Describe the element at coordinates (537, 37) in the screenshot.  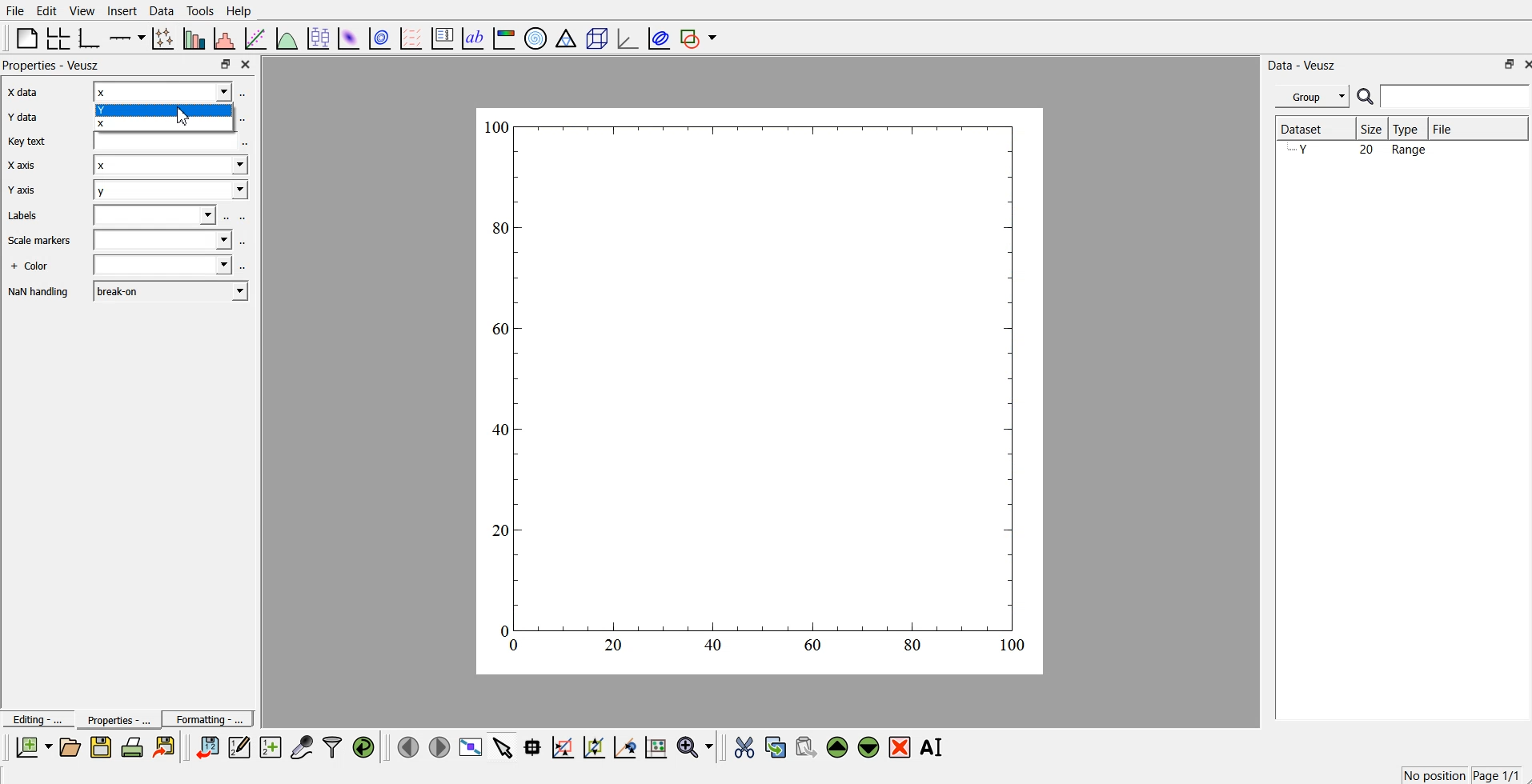
I see `polar graph` at that location.